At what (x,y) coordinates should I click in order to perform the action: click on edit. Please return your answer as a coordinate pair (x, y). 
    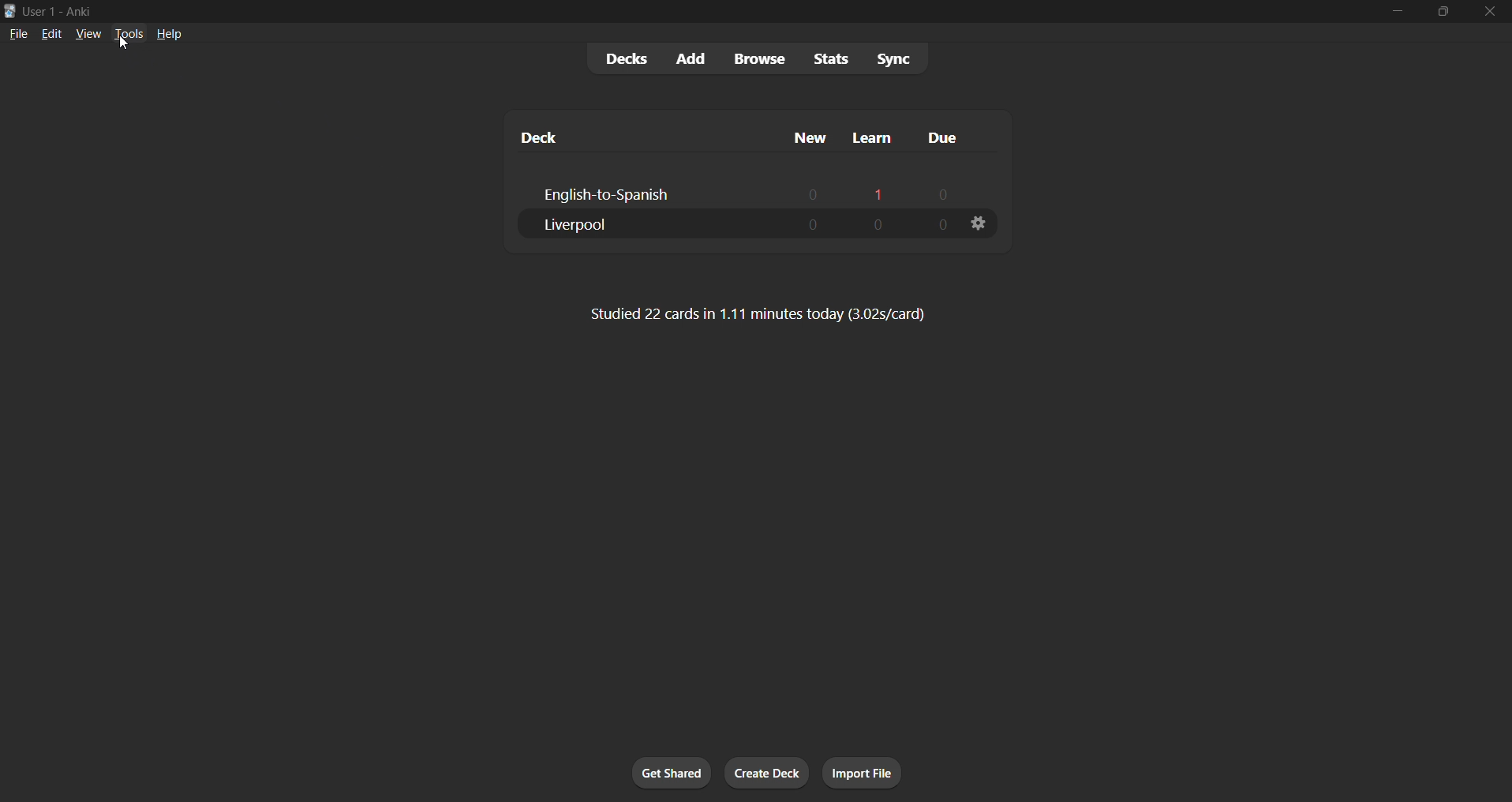
    Looking at the image, I should click on (47, 33).